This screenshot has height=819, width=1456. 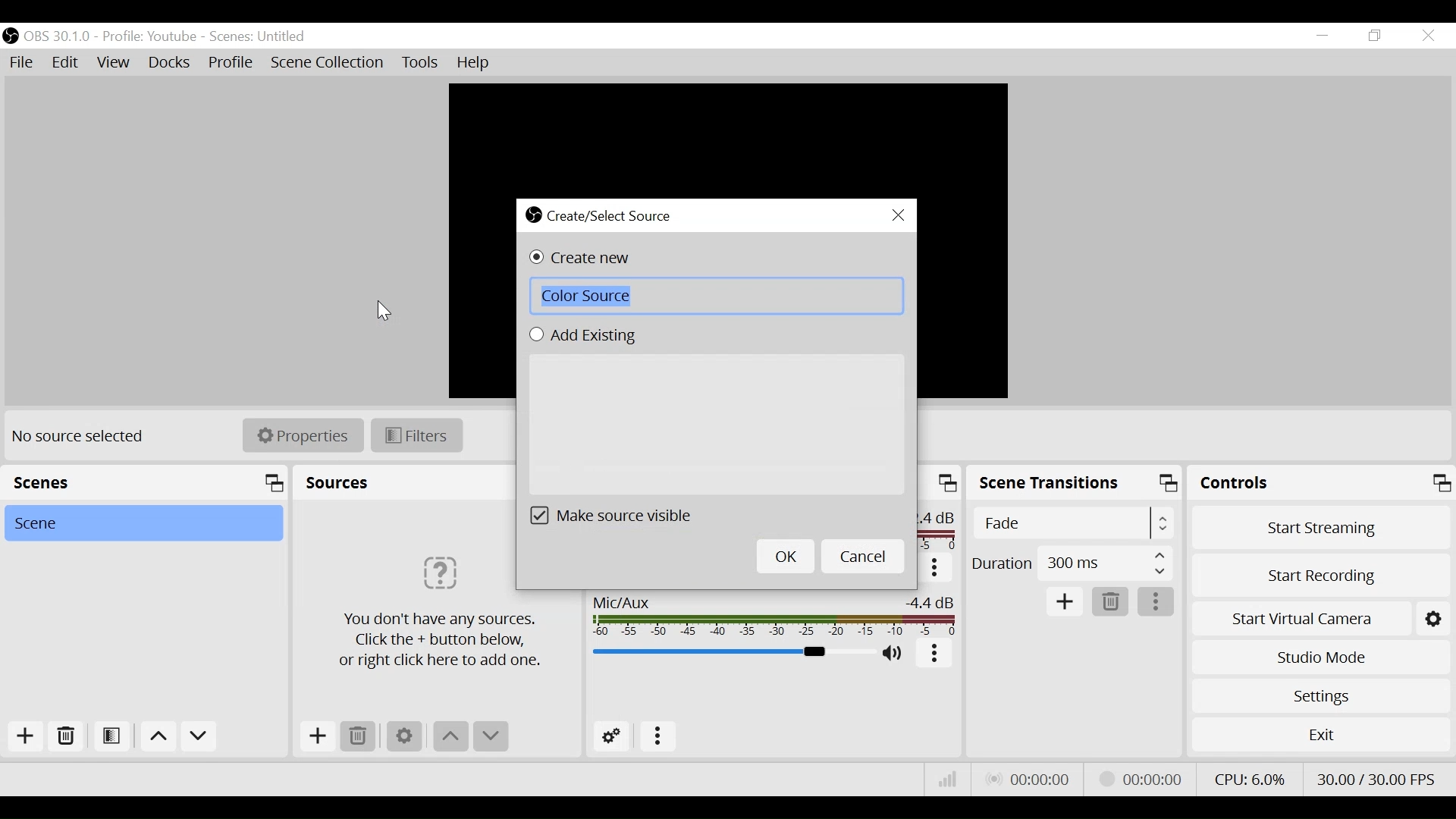 What do you see at coordinates (777, 617) in the screenshot?
I see `Mic/Aux Slider` at bounding box center [777, 617].